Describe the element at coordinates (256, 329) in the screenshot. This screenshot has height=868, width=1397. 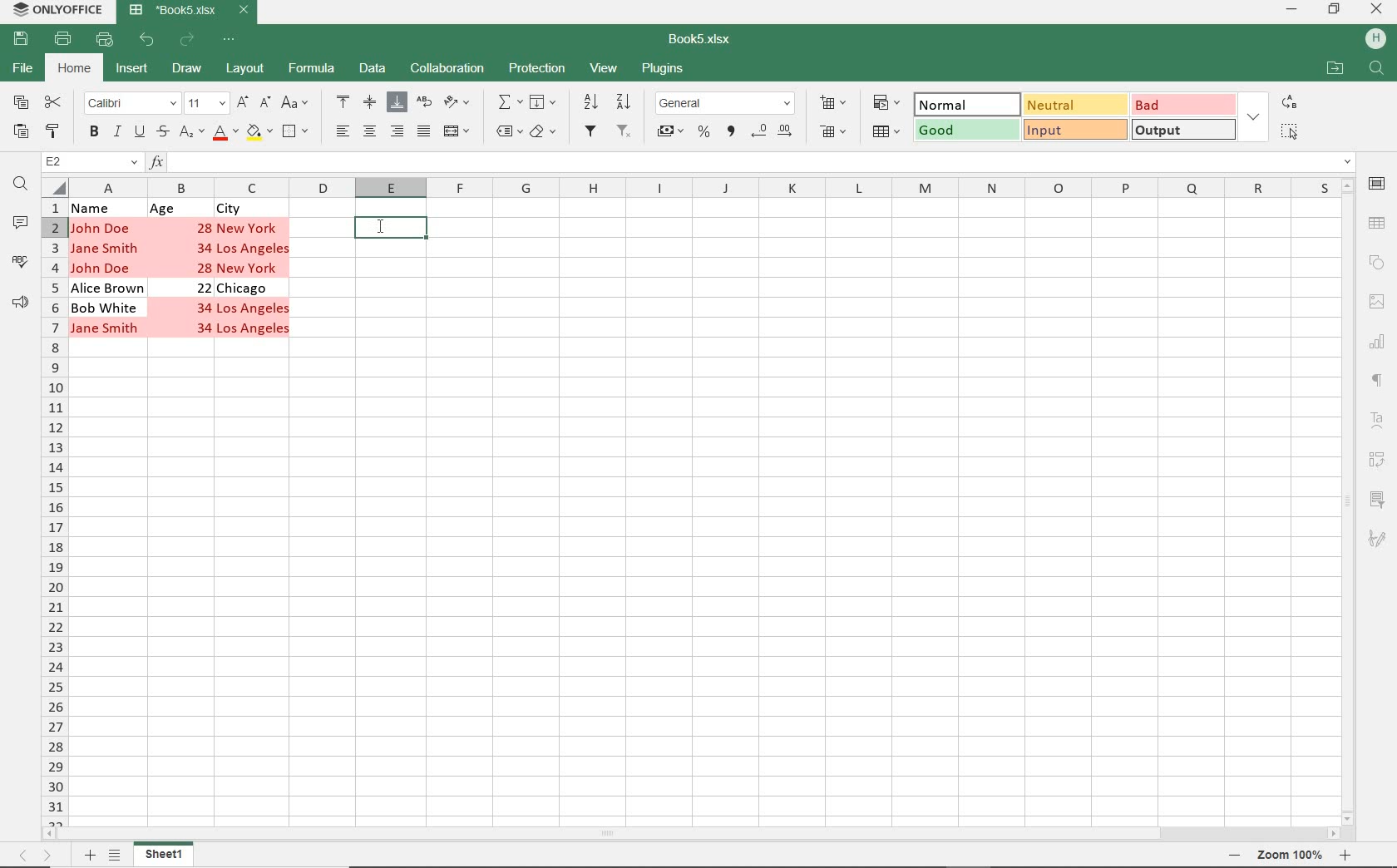
I see `Los Angeles` at that location.